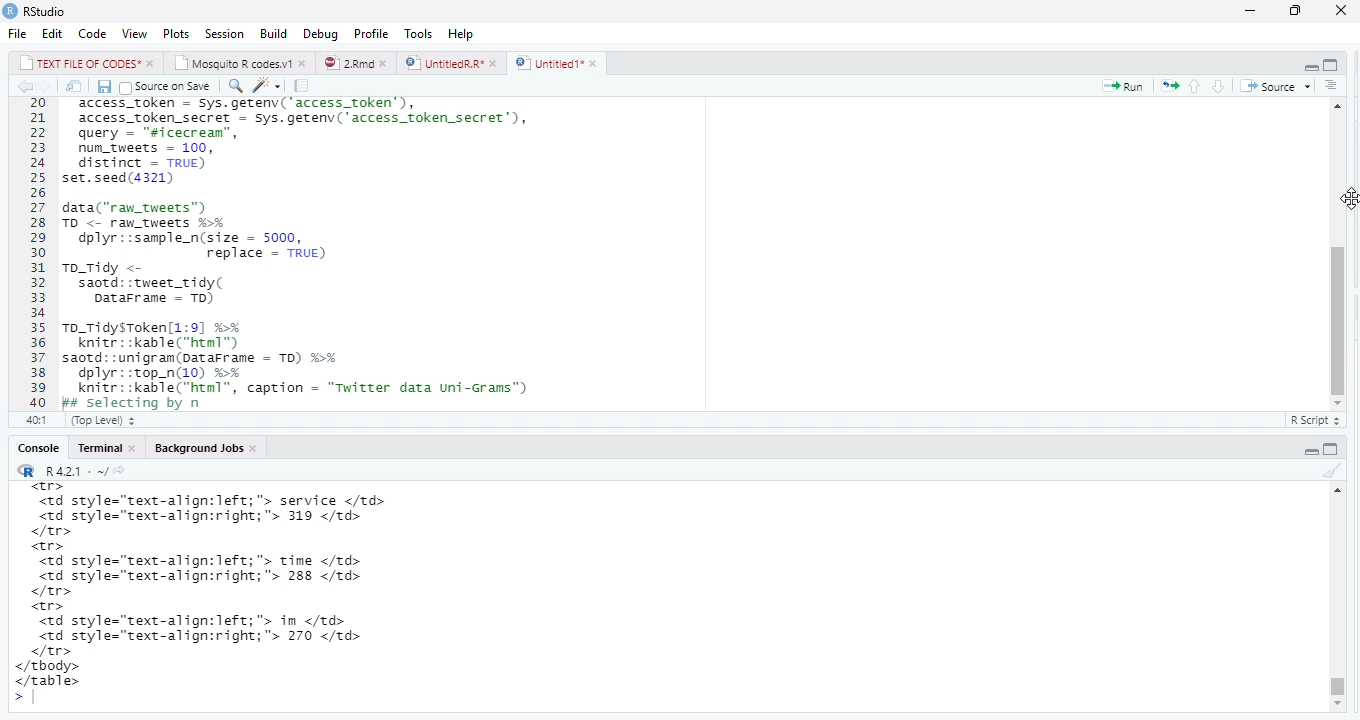 The width and height of the screenshot is (1360, 720). I want to click on Edit, so click(51, 31).